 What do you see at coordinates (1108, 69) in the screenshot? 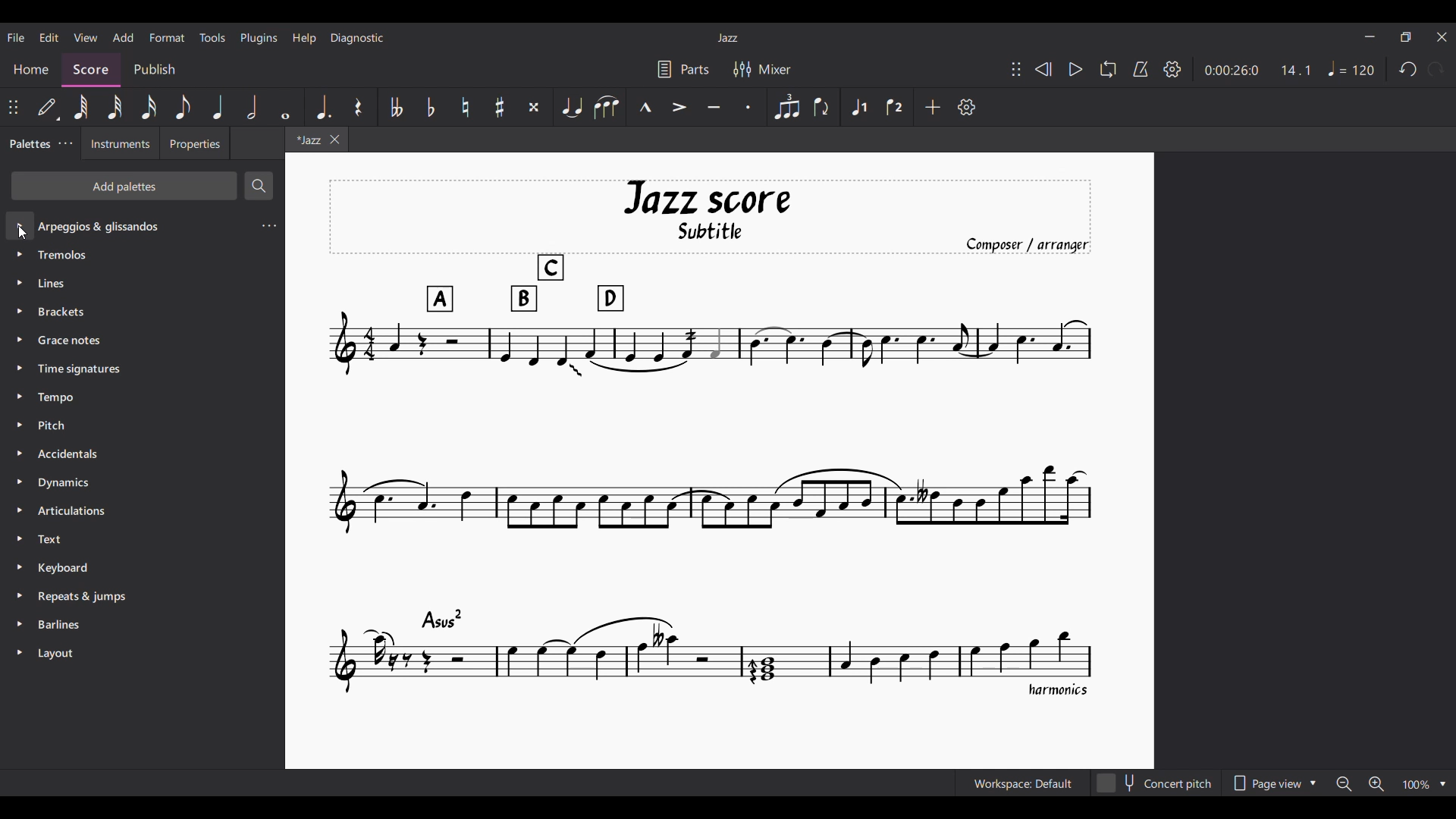
I see `Loop playback` at bounding box center [1108, 69].